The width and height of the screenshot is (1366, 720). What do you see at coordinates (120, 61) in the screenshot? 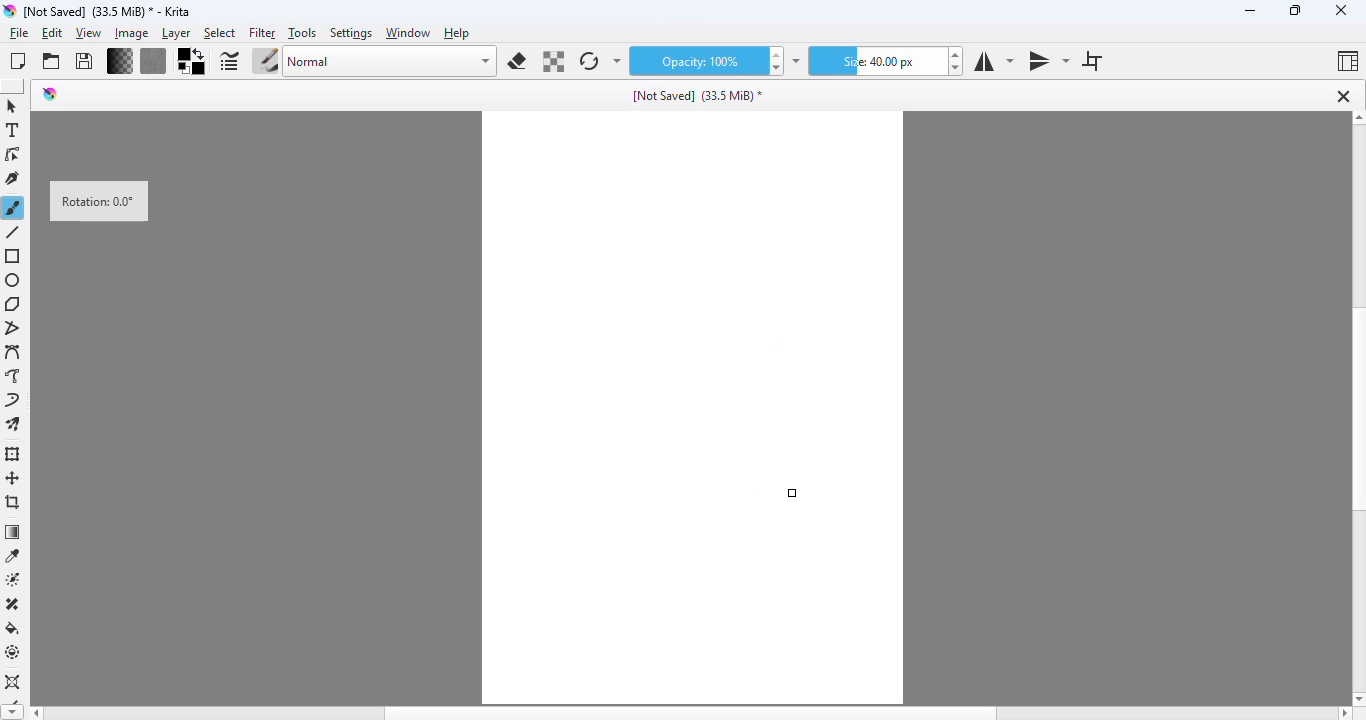
I see `fill gradients` at bounding box center [120, 61].